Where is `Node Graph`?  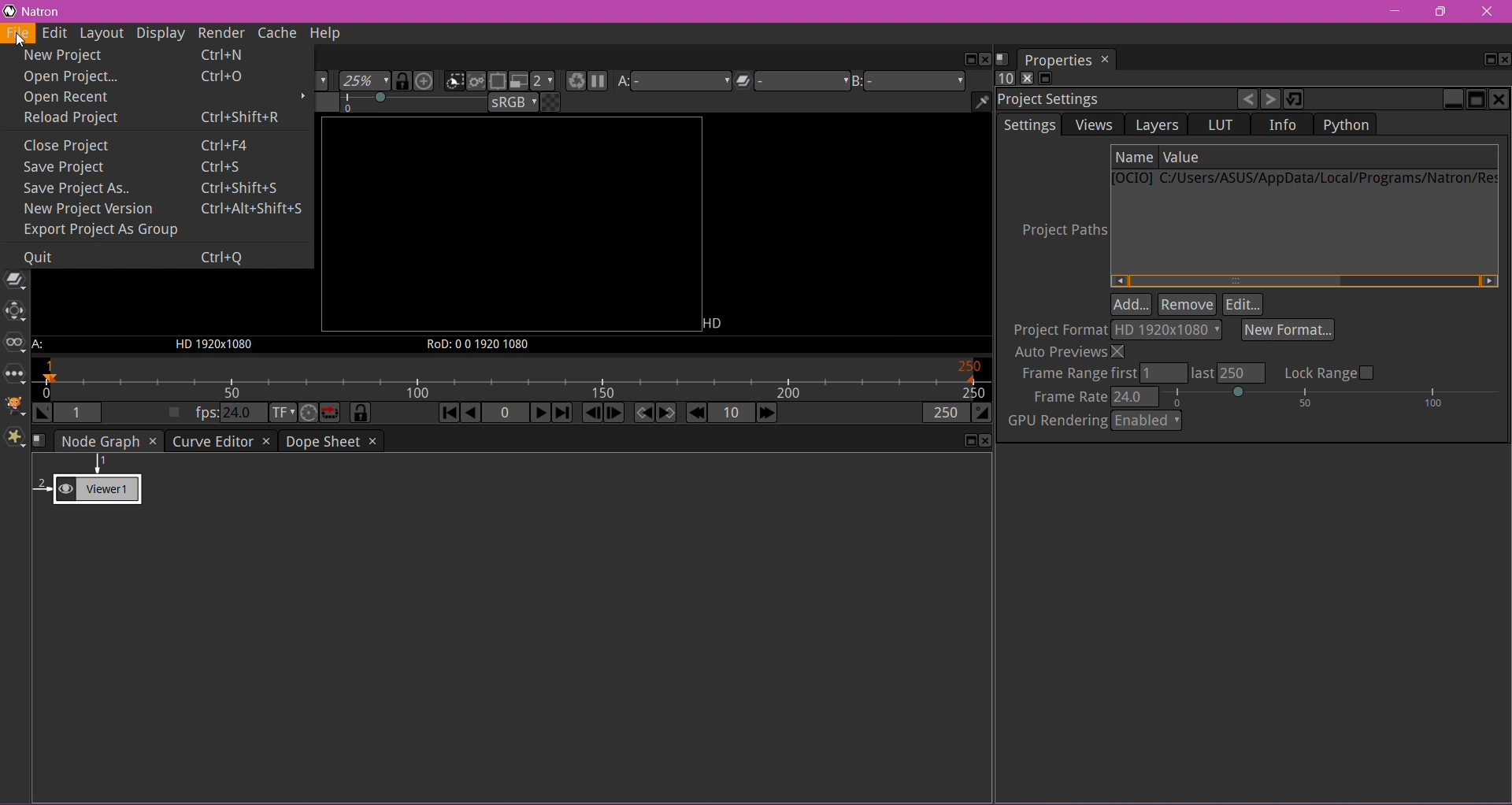 Node Graph is located at coordinates (100, 442).